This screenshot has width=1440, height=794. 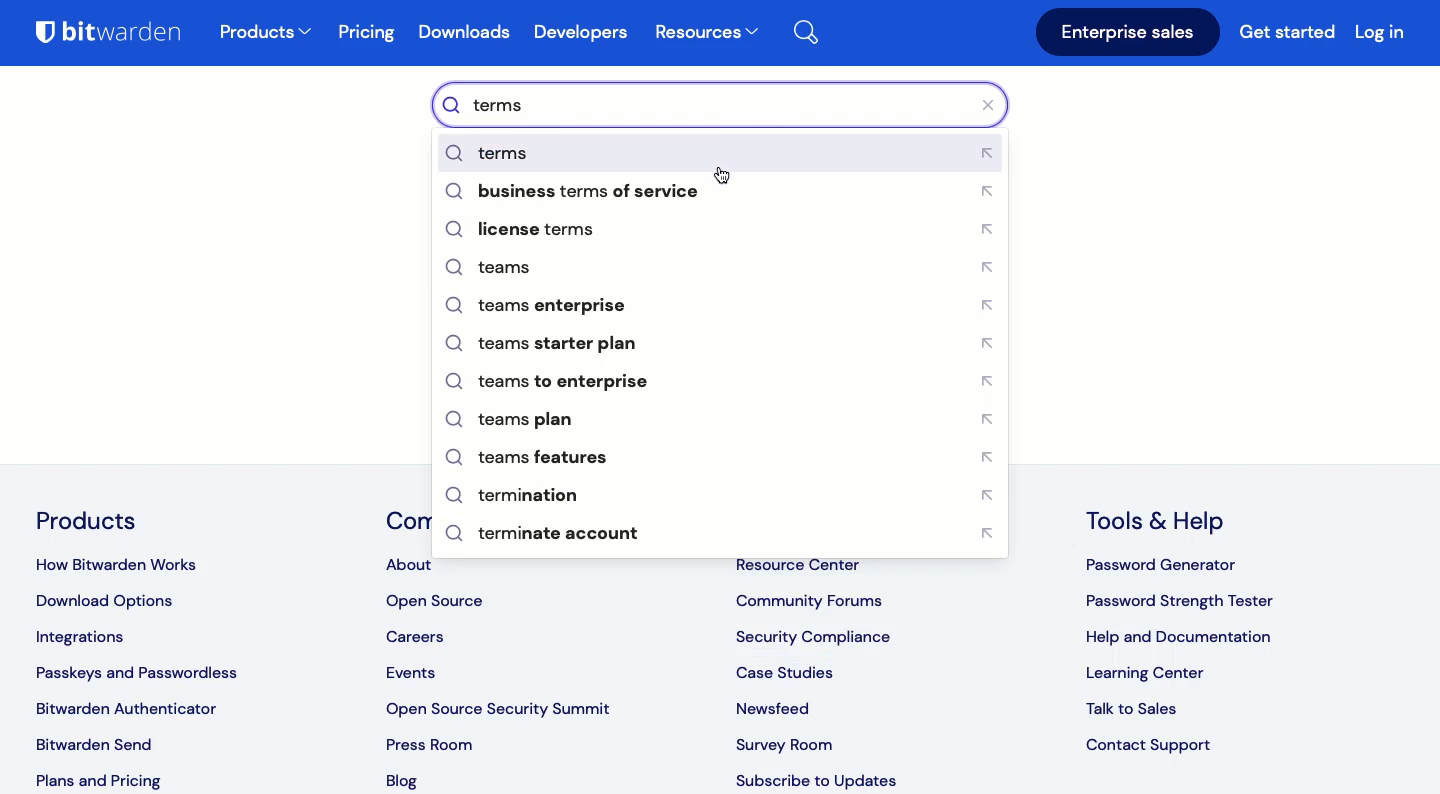 What do you see at coordinates (130, 560) in the screenshot?
I see `how bit warden works` at bounding box center [130, 560].